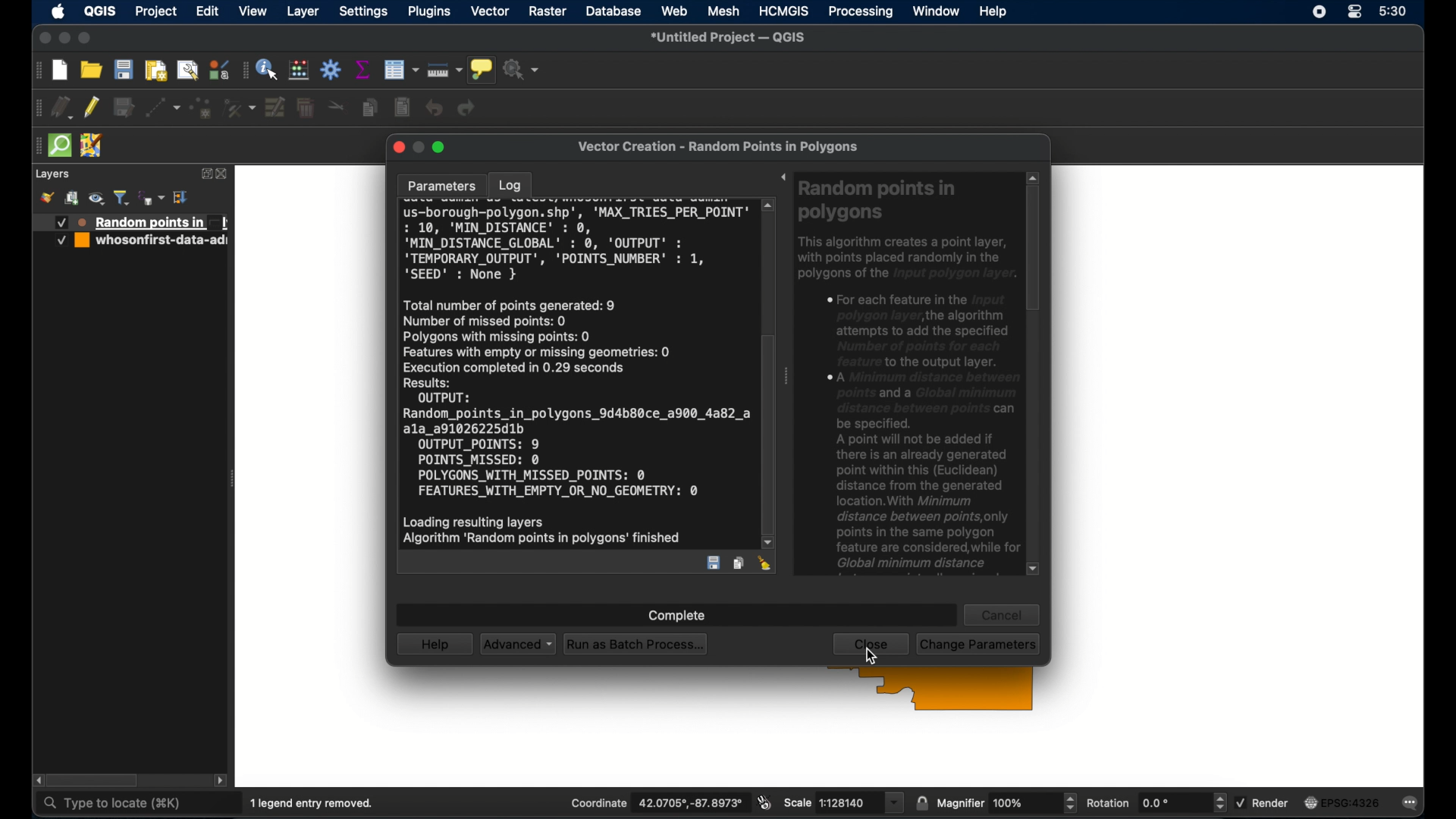 The height and width of the screenshot is (819, 1456). Describe the element at coordinates (439, 147) in the screenshot. I see `maximize` at that location.